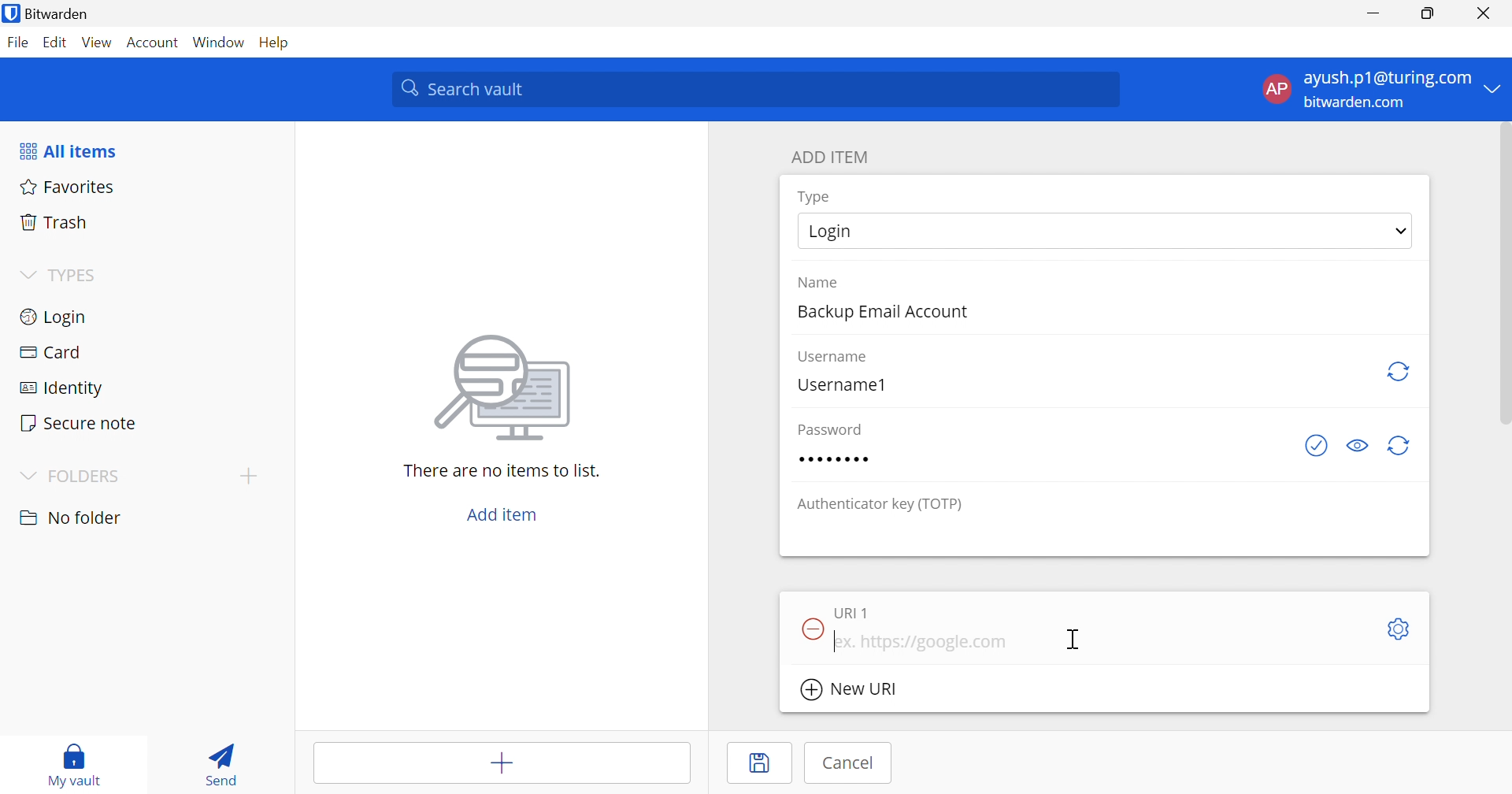  What do you see at coordinates (1355, 446) in the screenshot?
I see `Toggle visibility` at bounding box center [1355, 446].